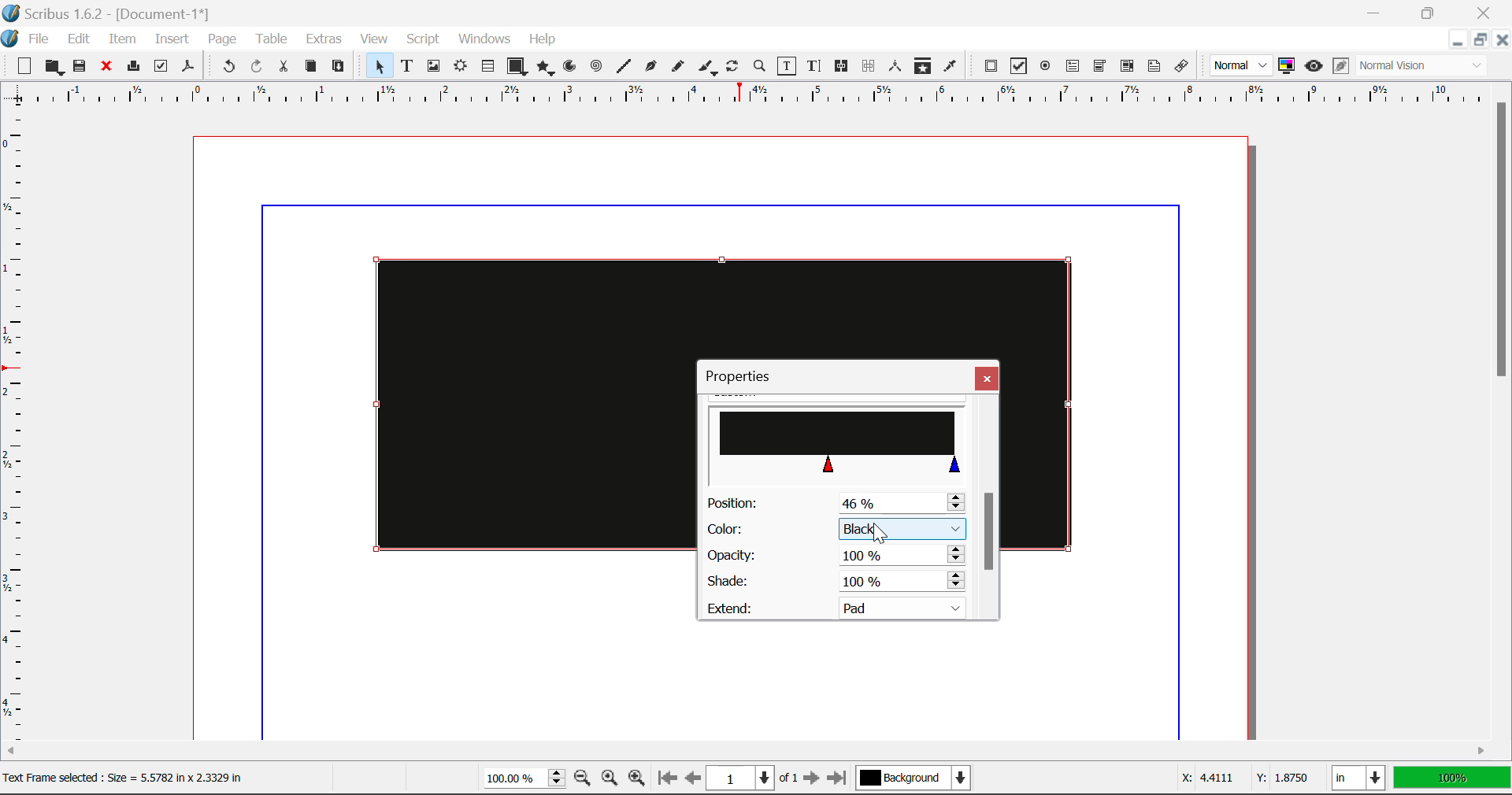 The image size is (1512, 795). What do you see at coordinates (709, 69) in the screenshot?
I see `Calligraphic Line` at bounding box center [709, 69].